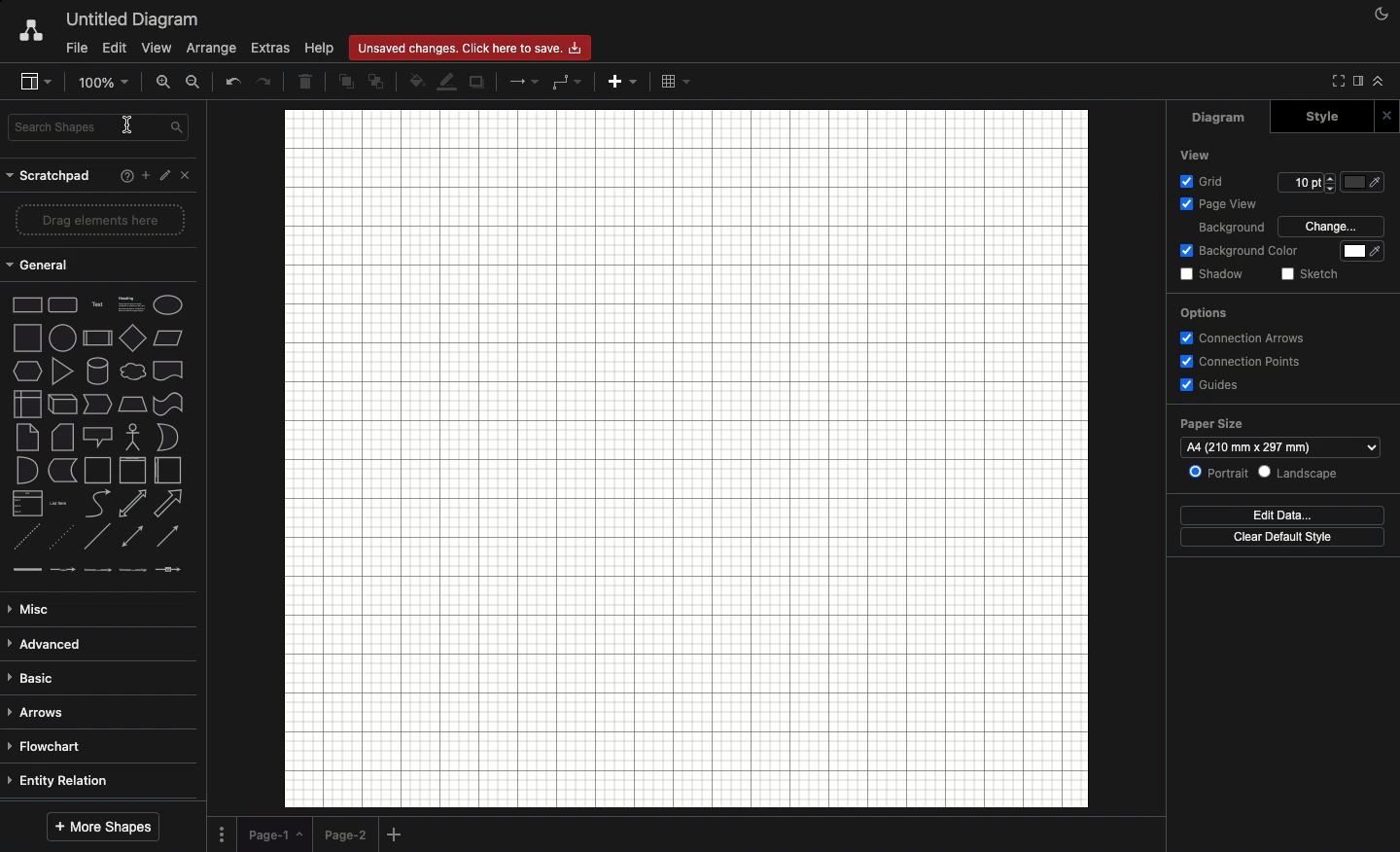 Image resolution: width=1400 pixels, height=852 pixels. I want to click on Redo, so click(266, 81).